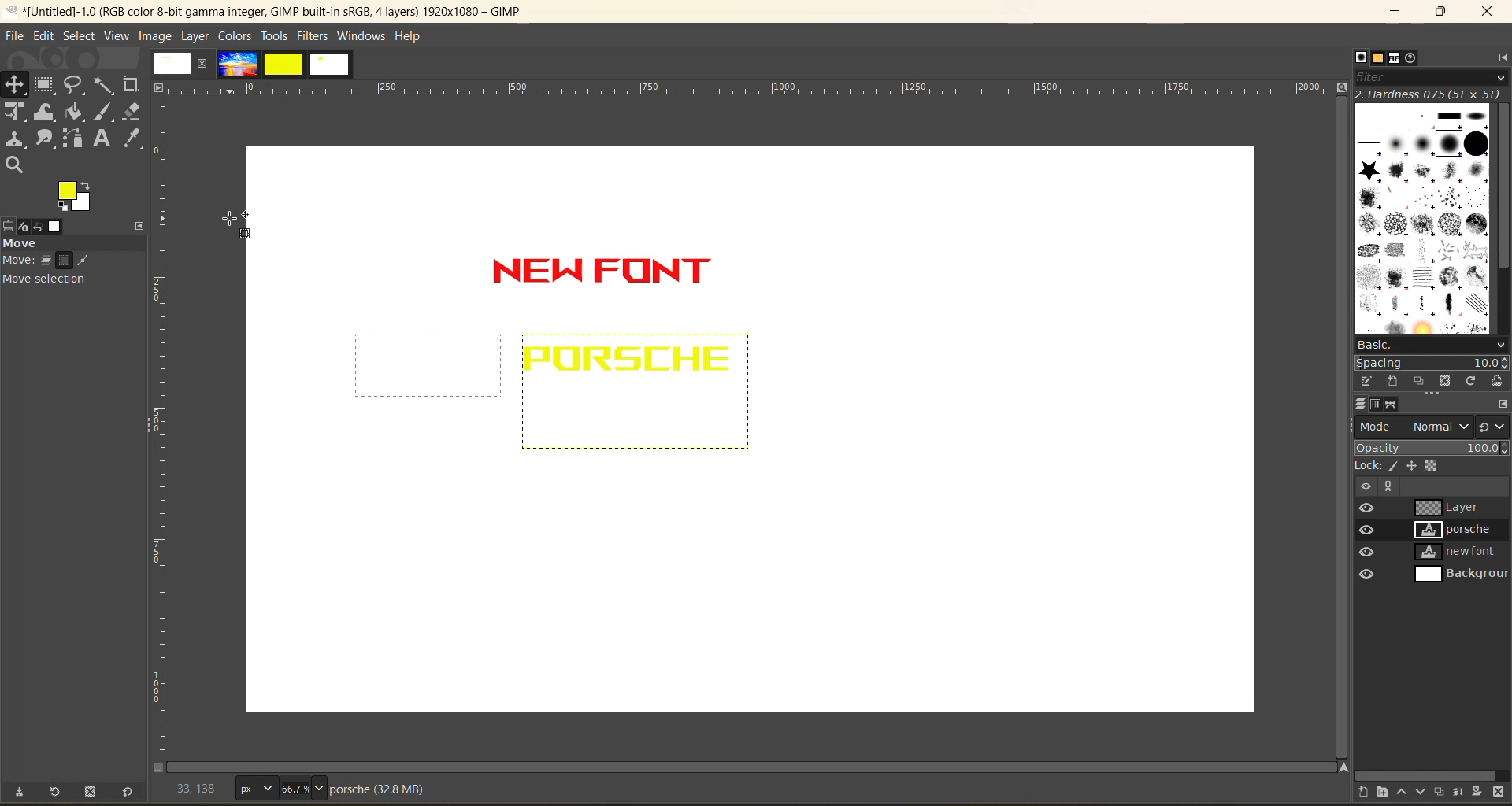  I want to click on horizontal ruler, so click(747, 87).